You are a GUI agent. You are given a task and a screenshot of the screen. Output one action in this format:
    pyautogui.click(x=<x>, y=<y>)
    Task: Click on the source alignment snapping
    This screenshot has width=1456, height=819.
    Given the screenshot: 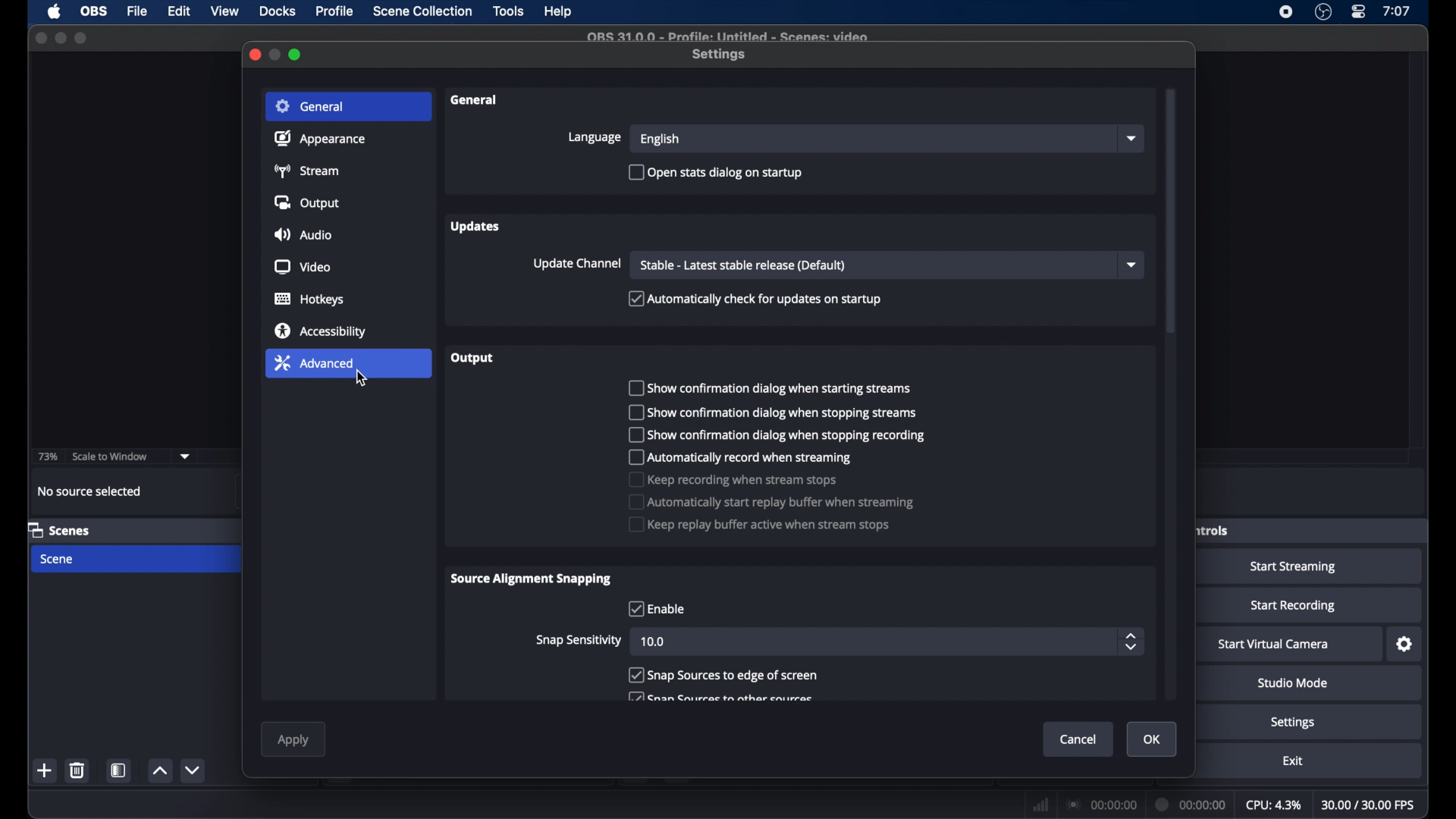 What is the action you would take?
    pyautogui.click(x=532, y=579)
    